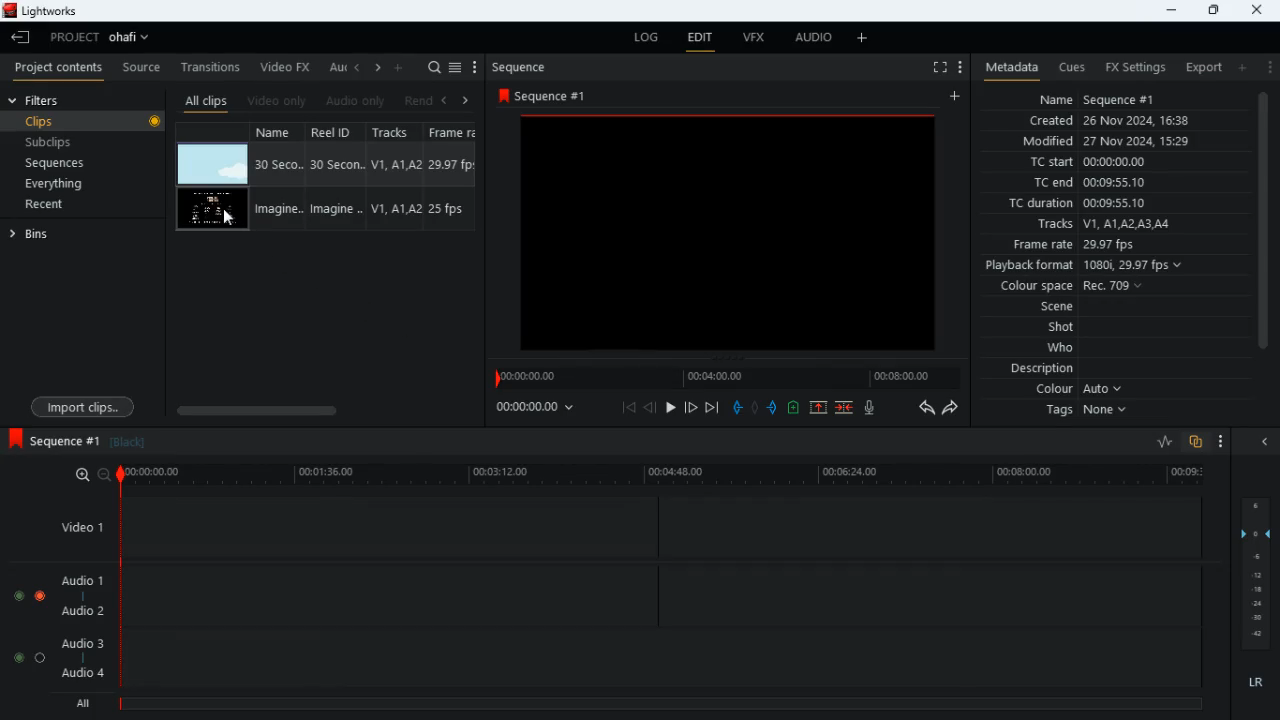 The height and width of the screenshot is (720, 1280). What do you see at coordinates (1082, 183) in the screenshot?
I see `tc end` at bounding box center [1082, 183].